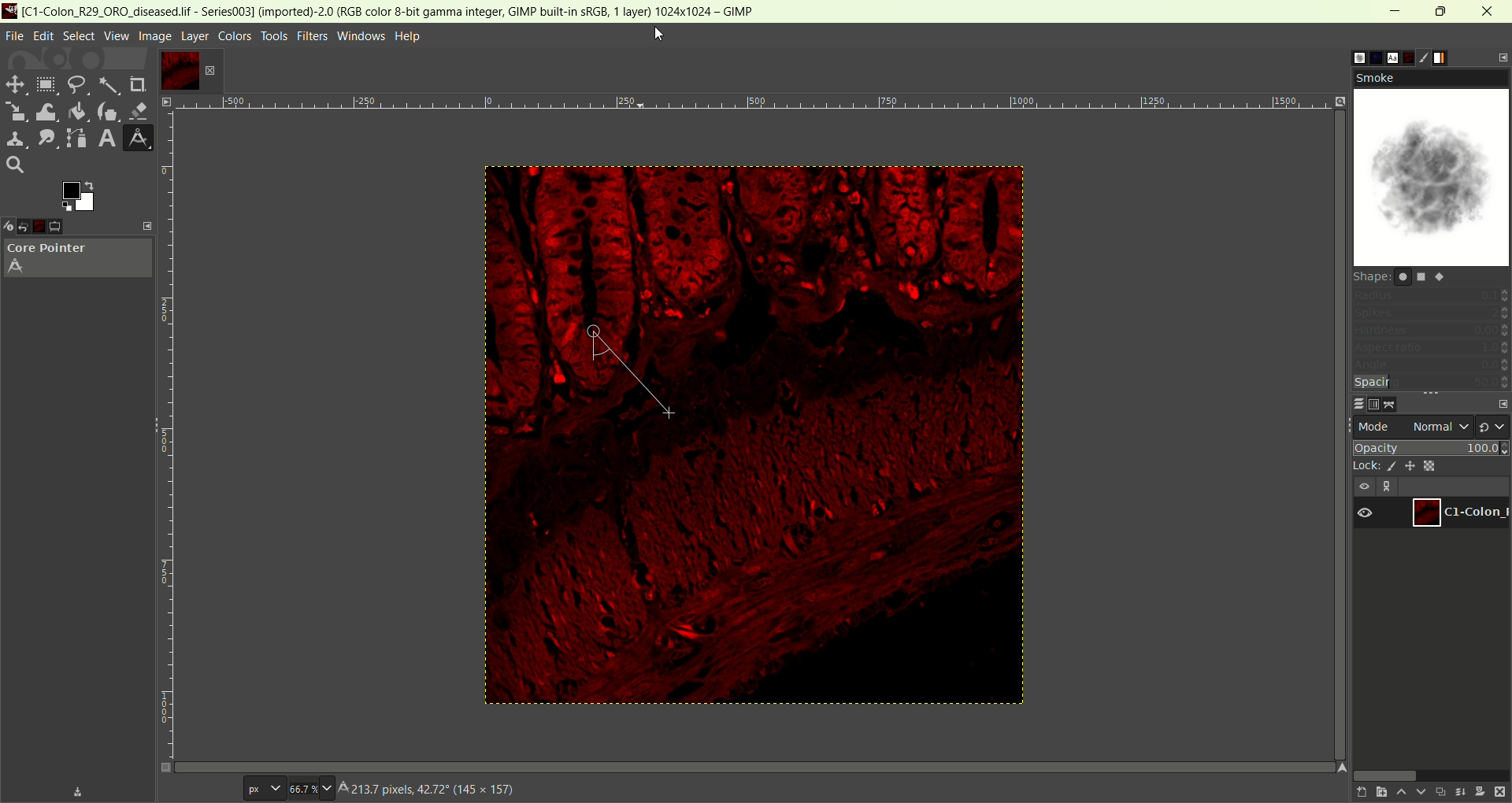 This screenshot has width=1512, height=803. Describe the element at coordinates (141, 109) in the screenshot. I see `eraser tool` at that location.